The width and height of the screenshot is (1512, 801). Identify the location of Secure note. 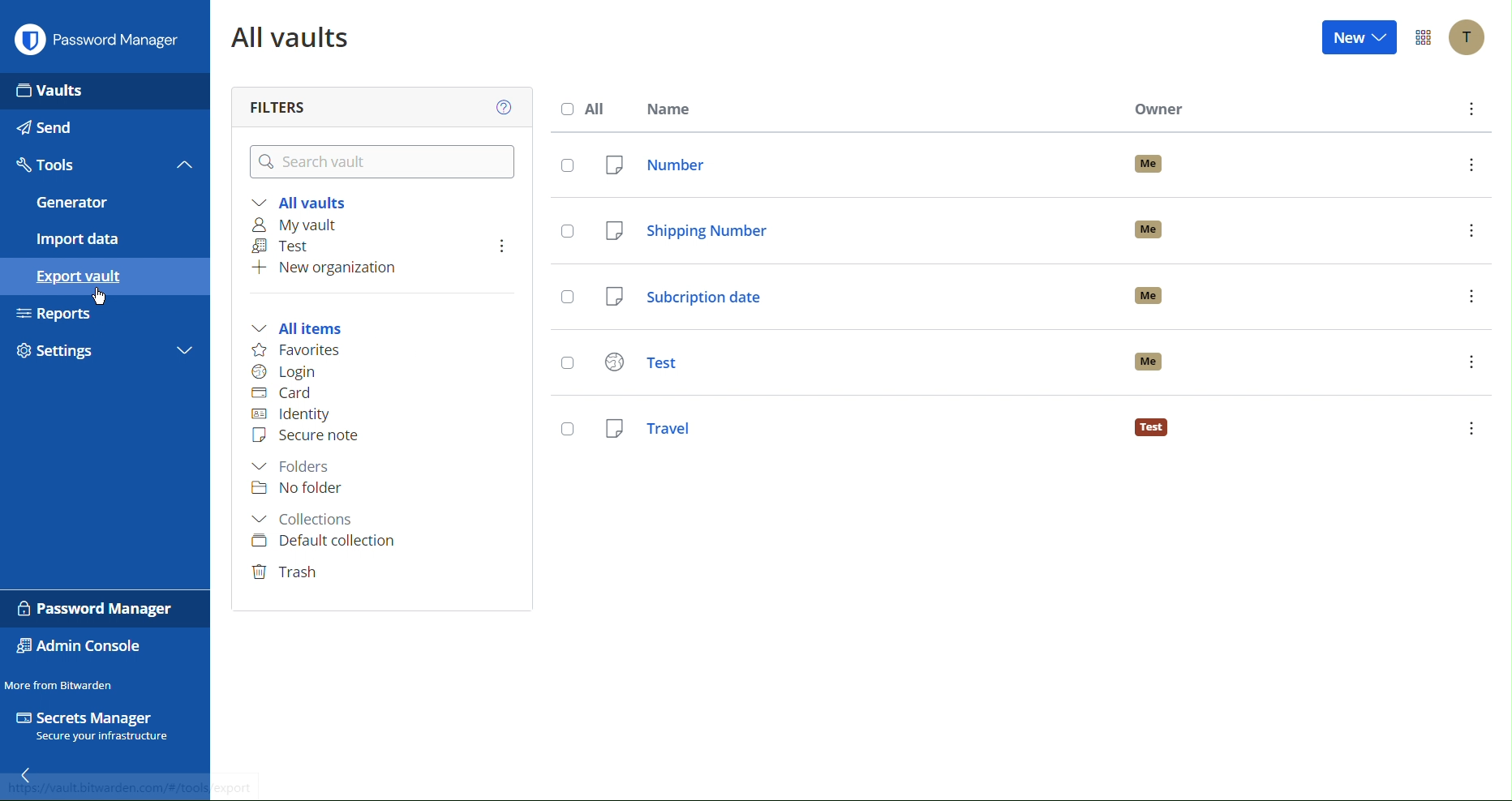
(308, 434).